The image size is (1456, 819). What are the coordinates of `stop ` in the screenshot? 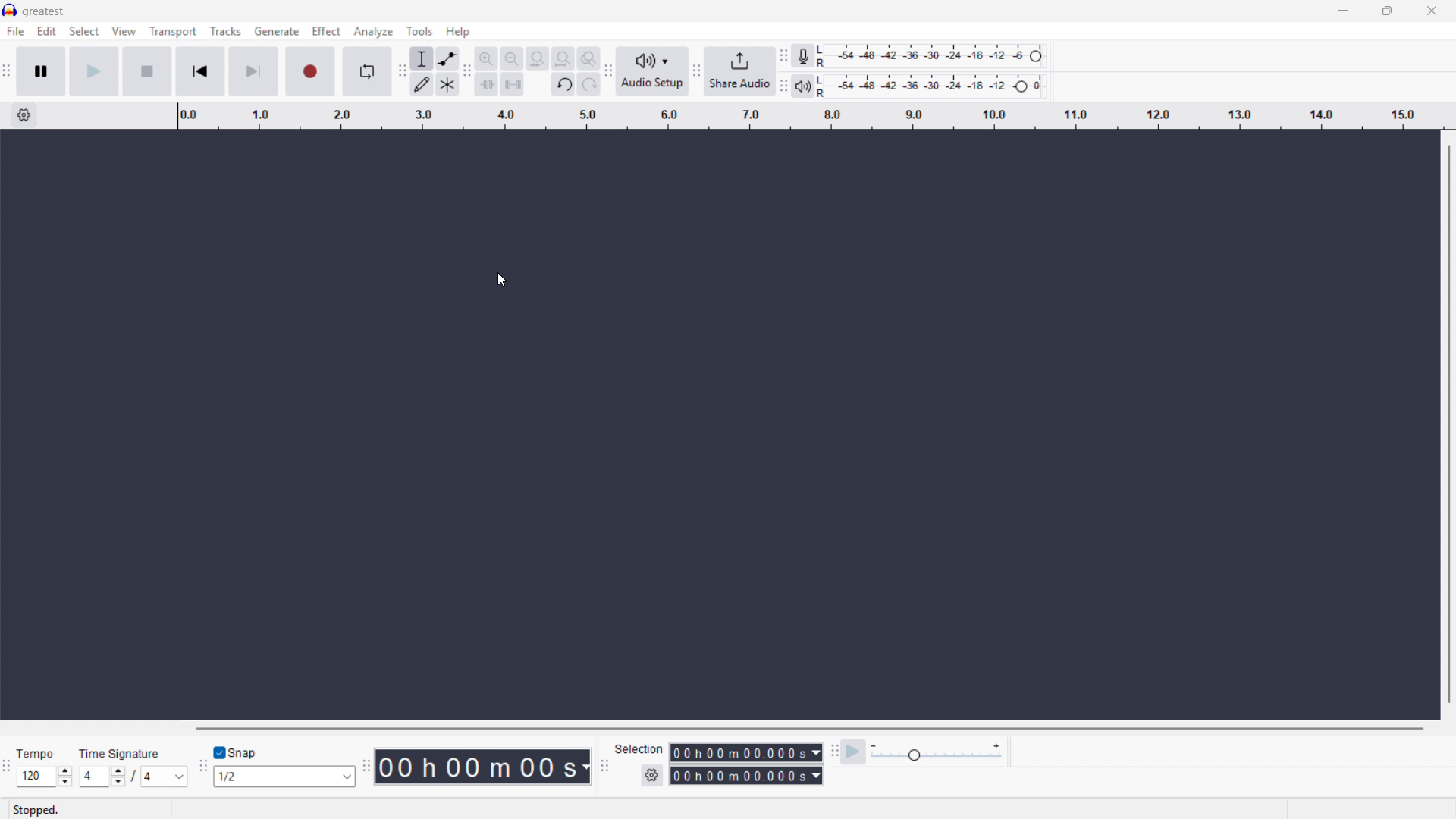 It's located at (148, 72).